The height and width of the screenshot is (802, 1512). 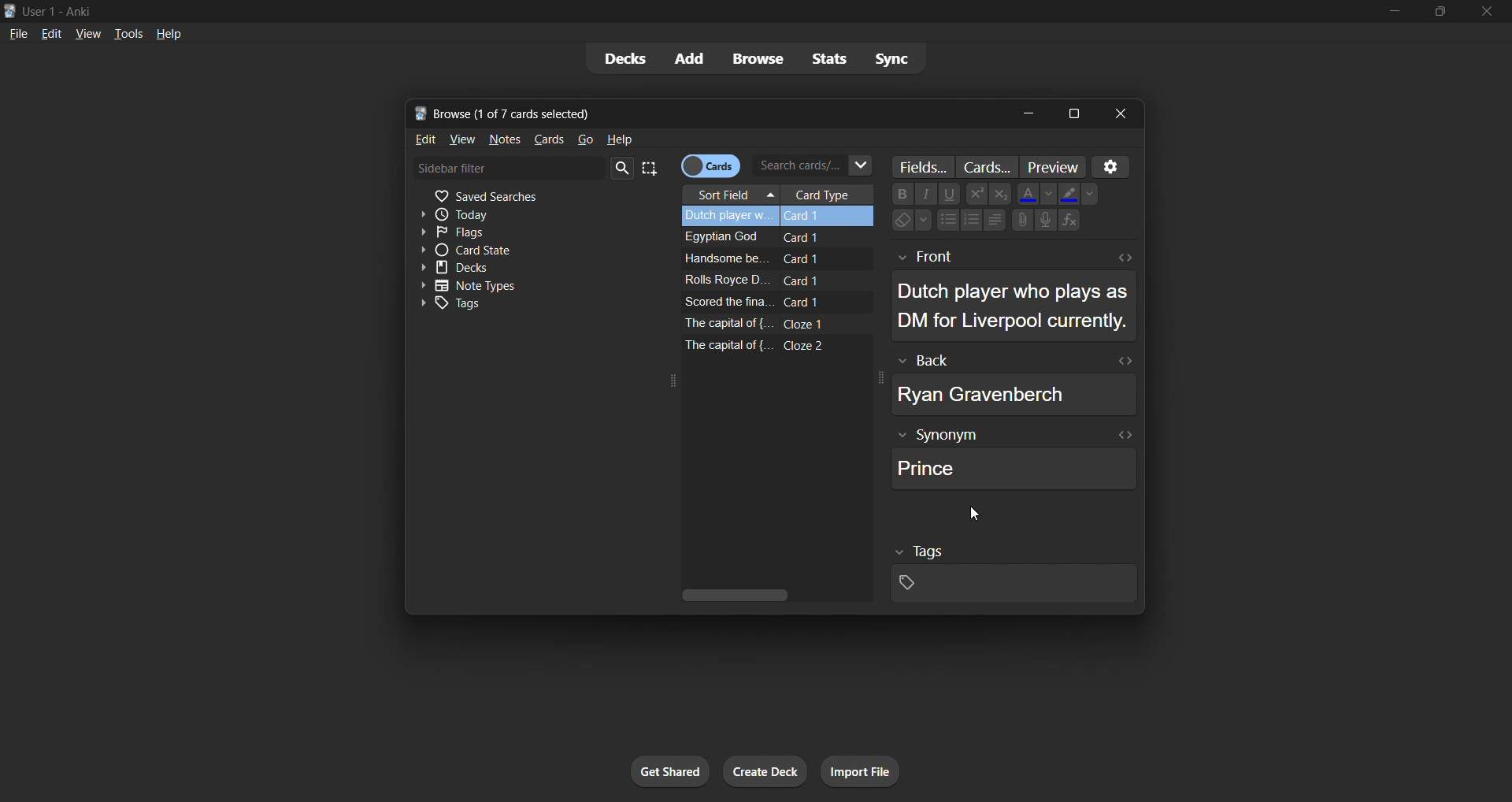 I want to click on Attachments, so click(x=1020, y=223).